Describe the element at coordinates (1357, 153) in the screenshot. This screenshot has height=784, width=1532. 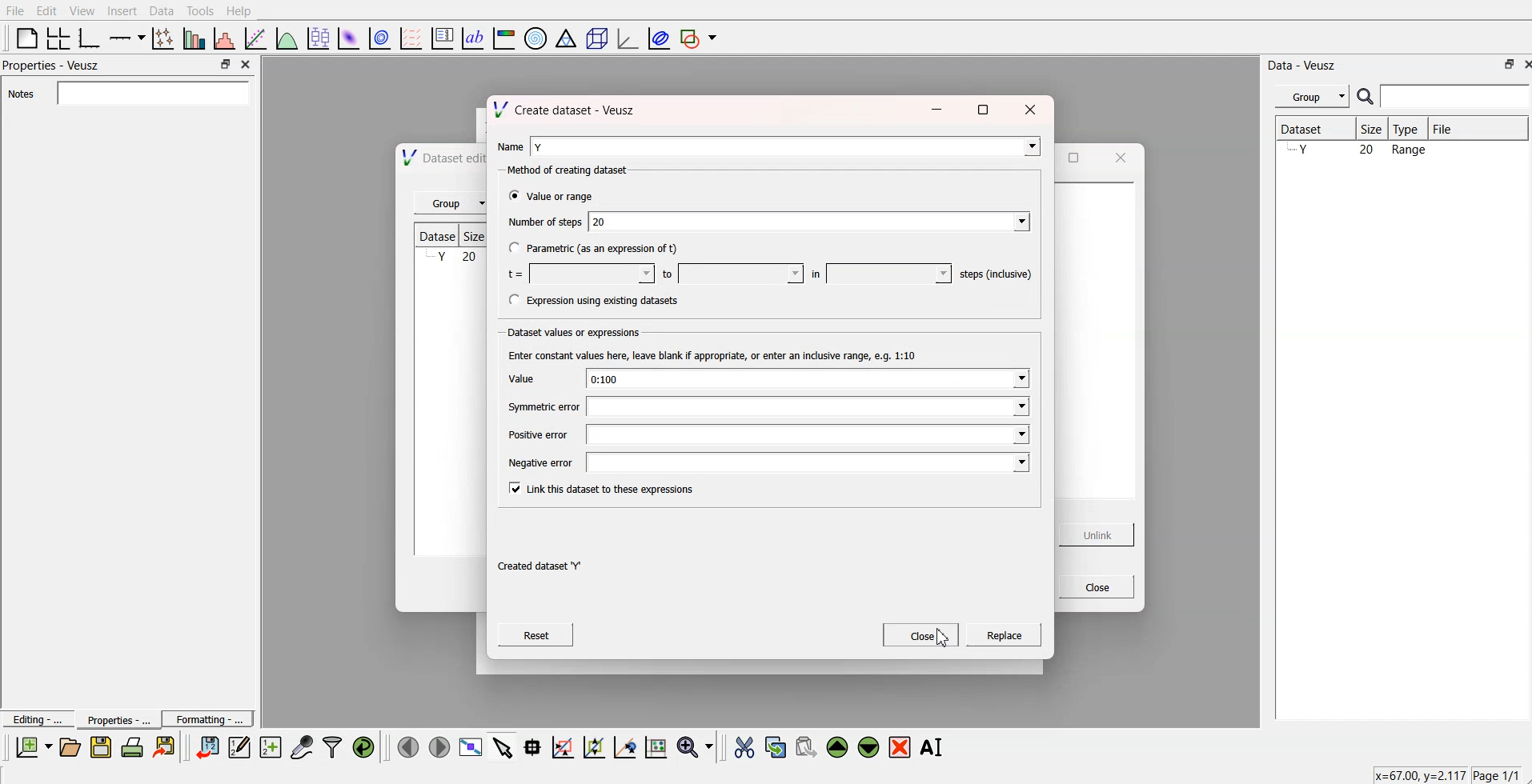
I see `y 20 range` at that location.